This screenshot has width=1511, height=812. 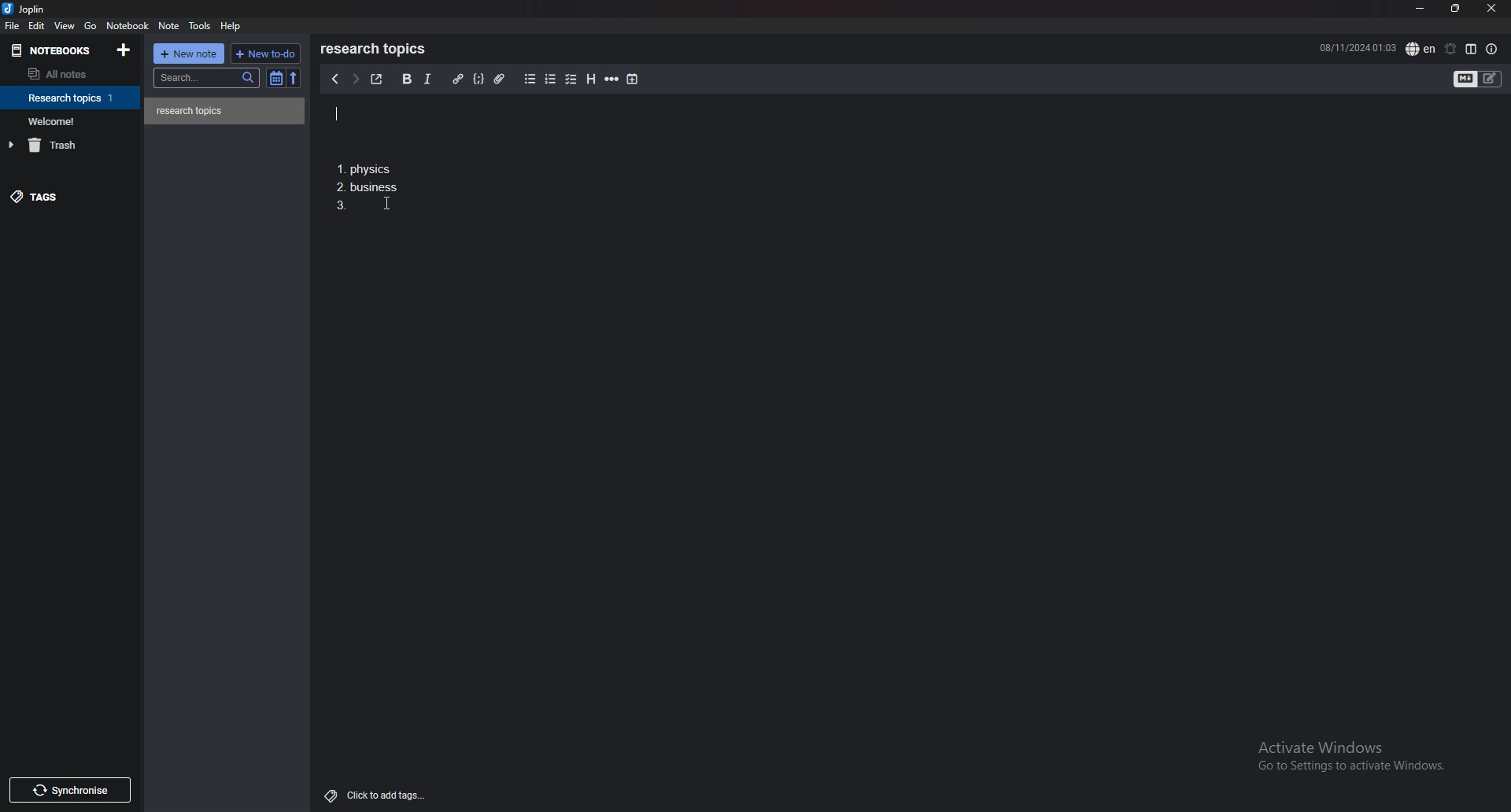 I want to click on 08/11/2024 01:02, so click(x=1357, y=47).